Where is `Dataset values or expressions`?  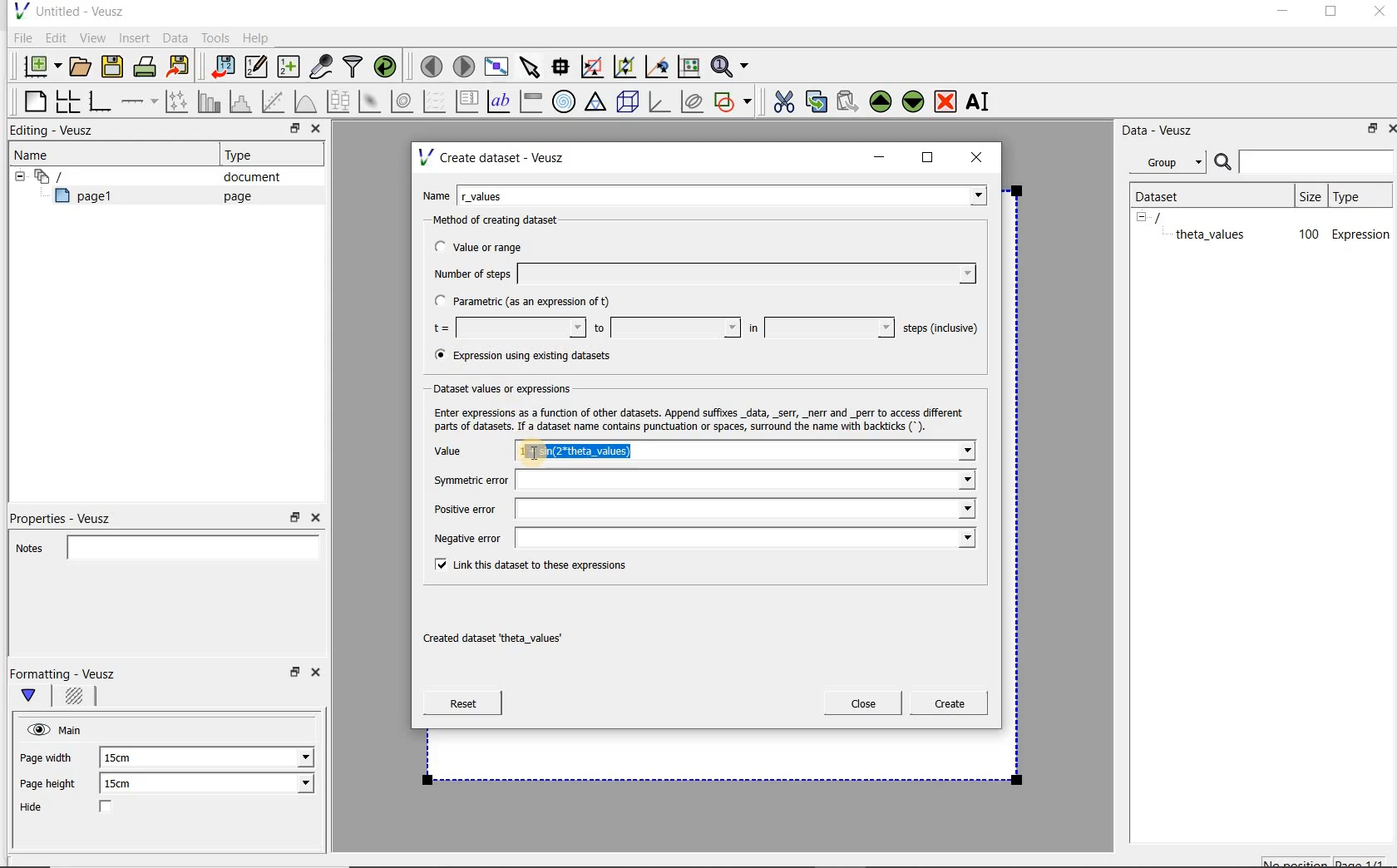
Dataset values or expressions is located at coordinates (516, 387).